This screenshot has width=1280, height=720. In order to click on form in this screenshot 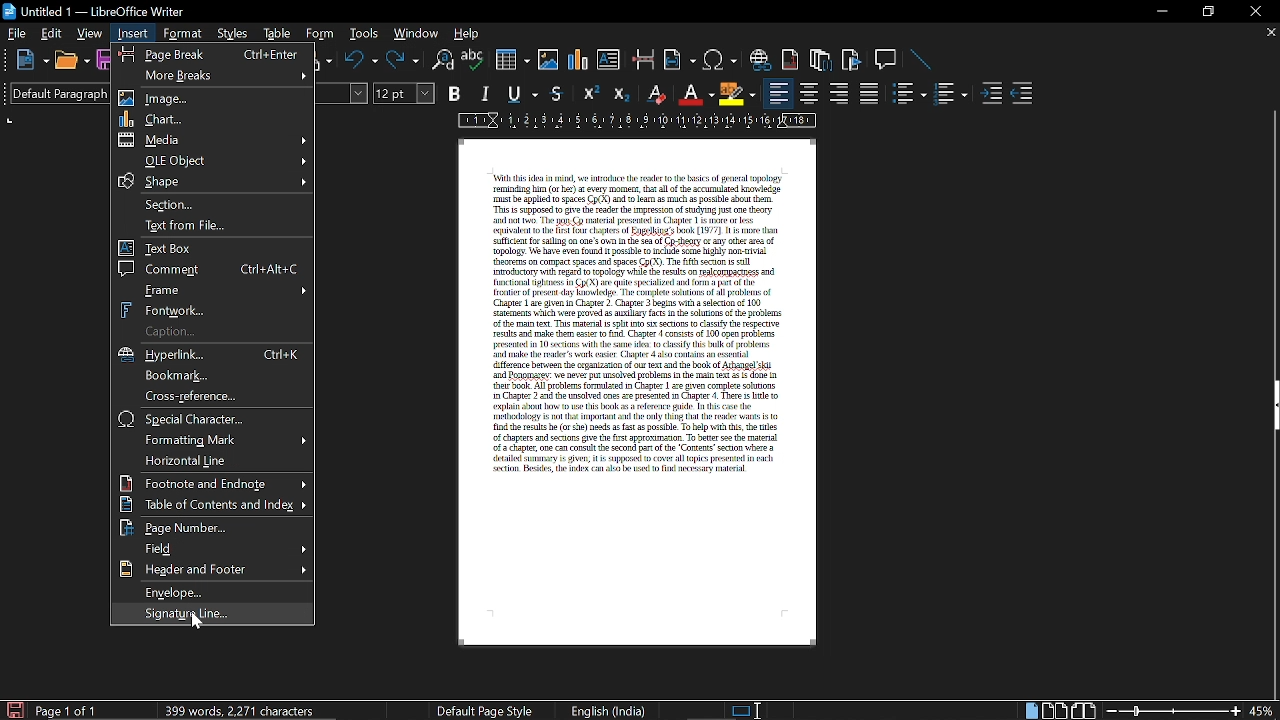, I will do `click(323, 34)`.